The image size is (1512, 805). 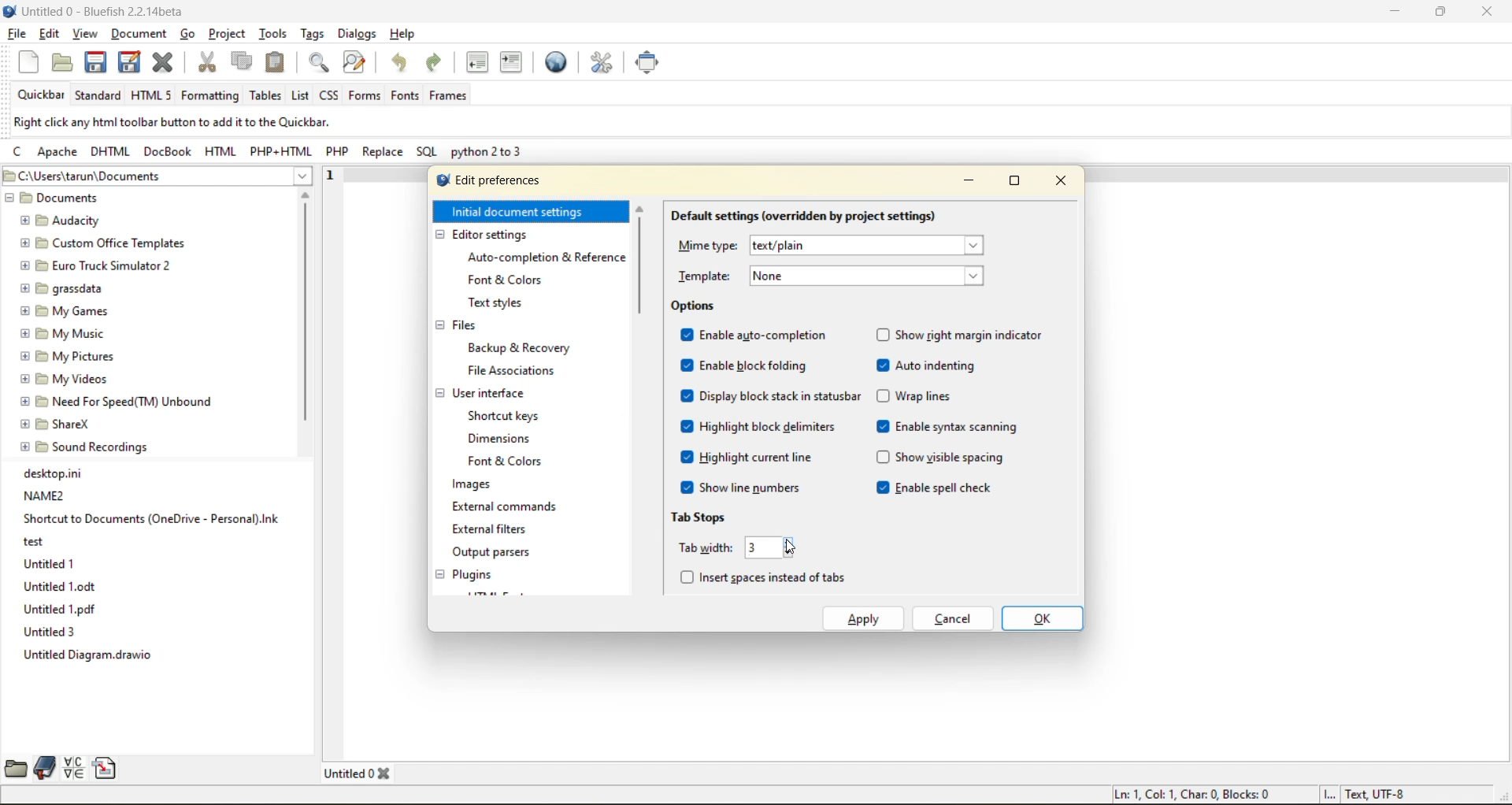 What do you see at coordinates (928, 366) in the screenshot?
I see `auto indenting` at bounding box center [928, 366].